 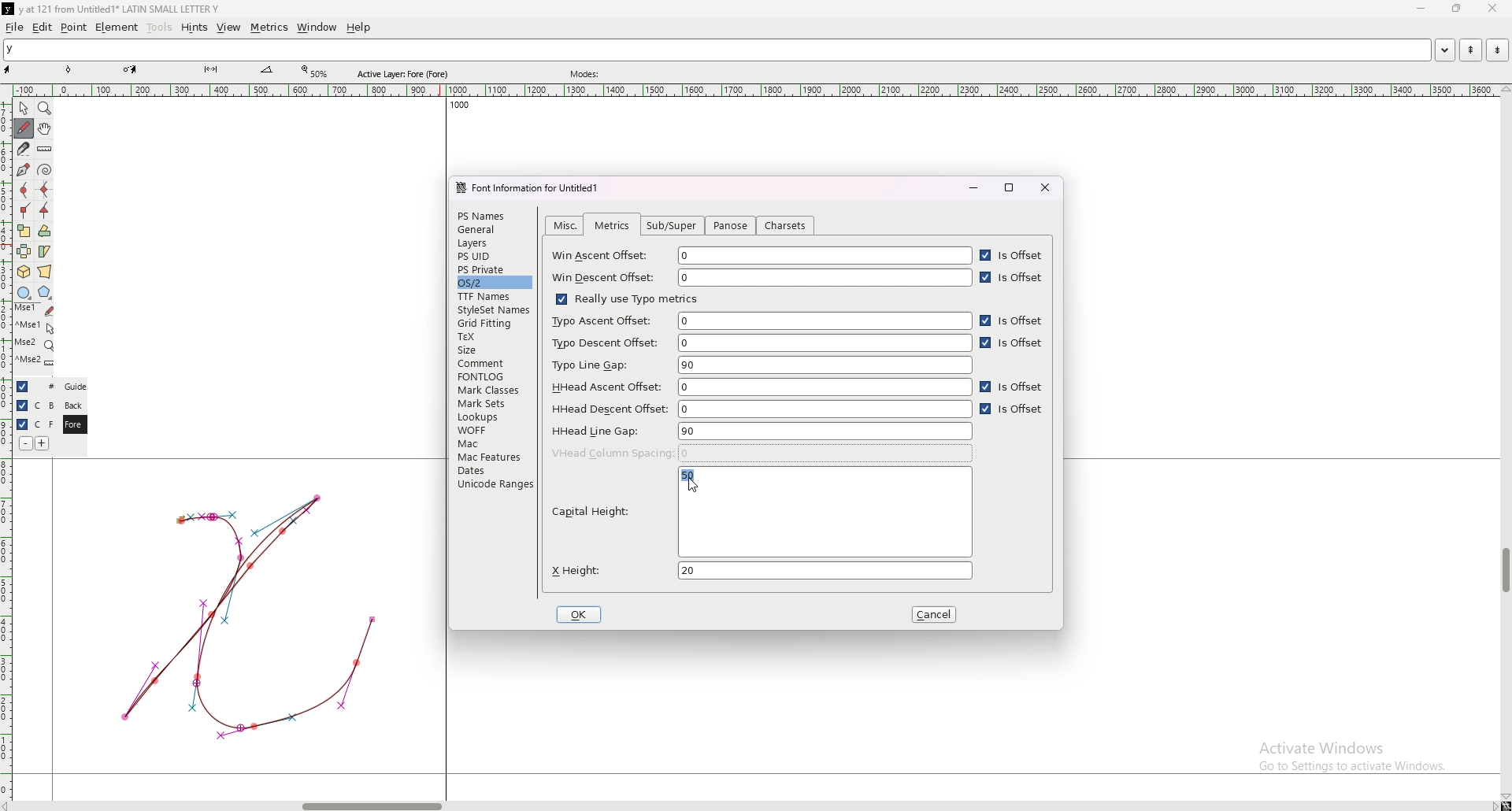 I want to click on ps private, so click(x=495, y=269).